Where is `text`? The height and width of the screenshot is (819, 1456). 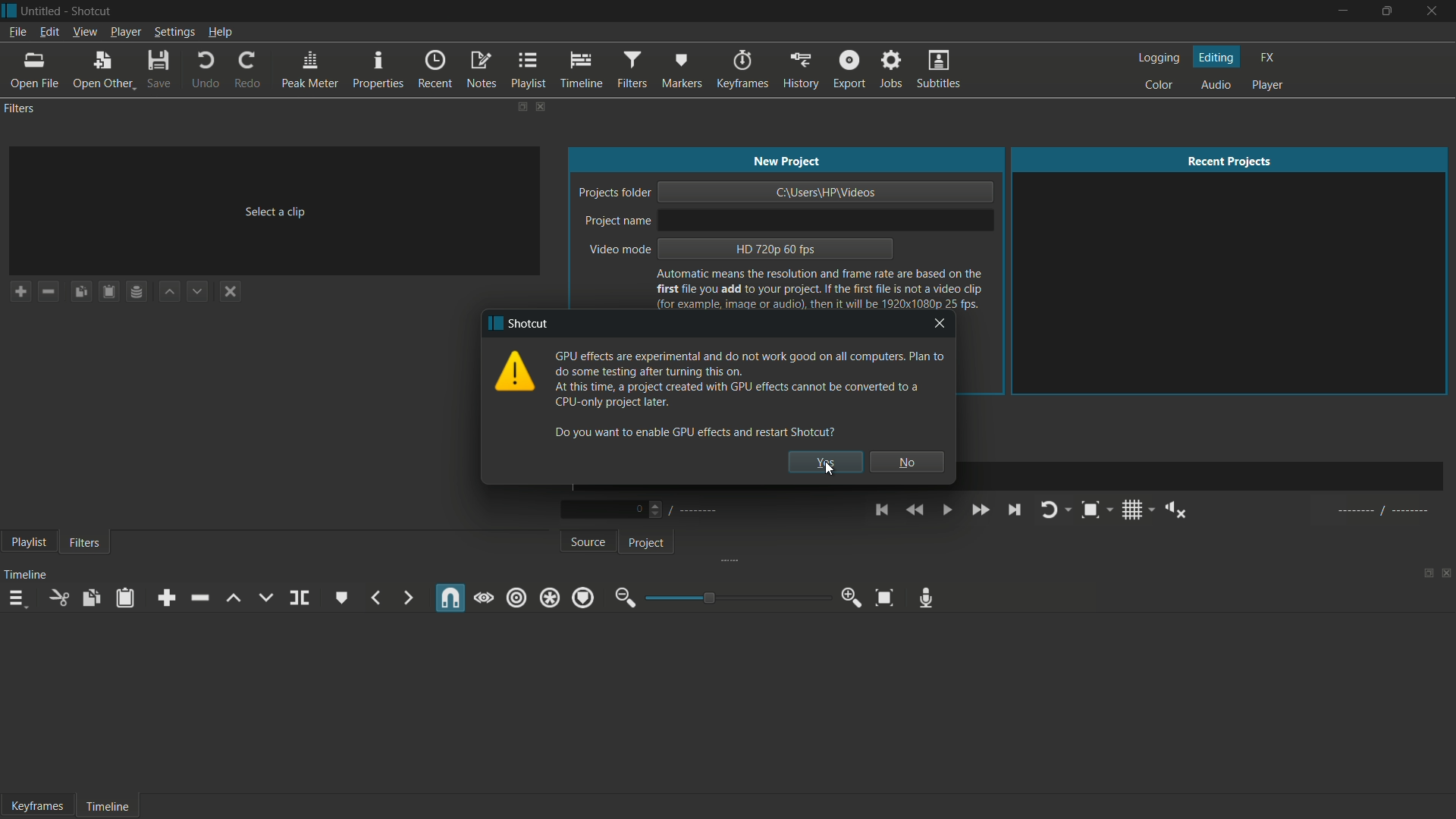
text is located at coordinates (821, 290).